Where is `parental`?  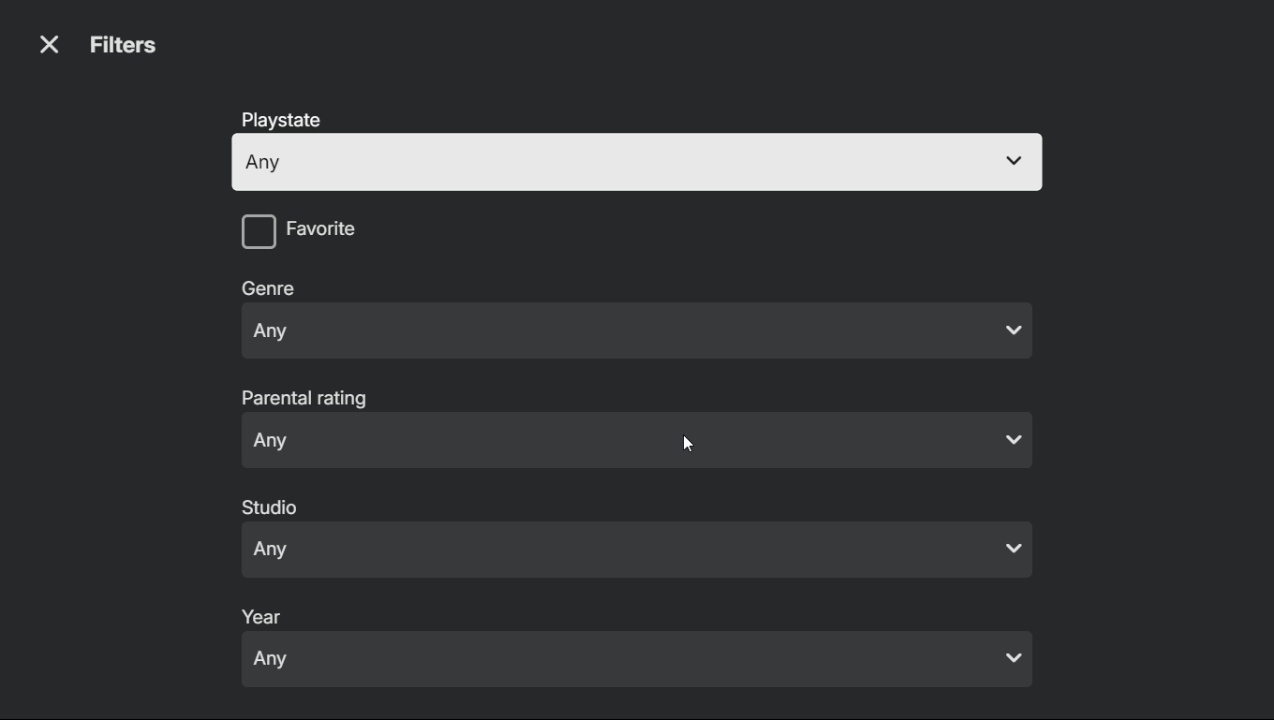 parental is located at coordinates (309, 395).